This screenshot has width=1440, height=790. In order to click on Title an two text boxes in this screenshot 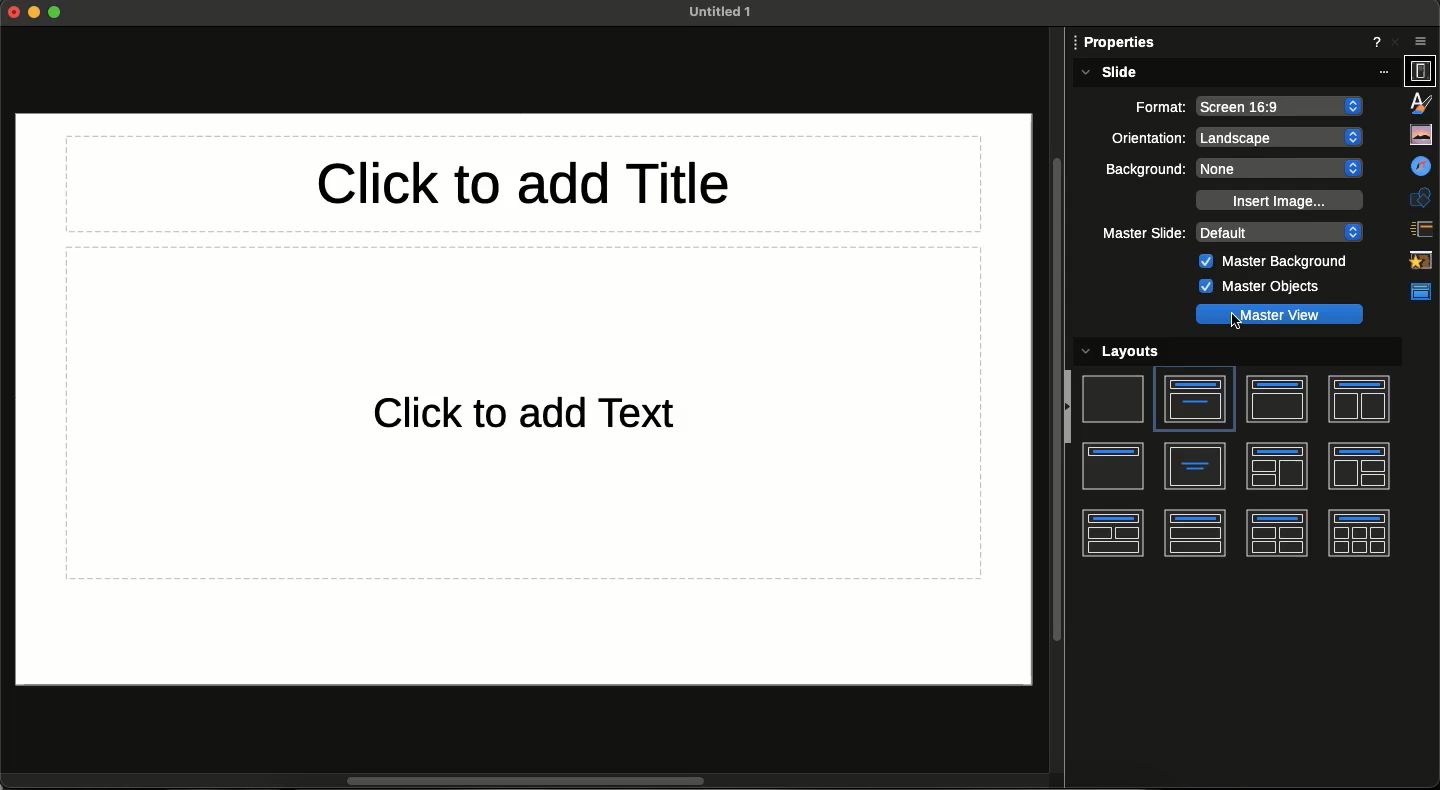, I will do `click(1358, 401)`.